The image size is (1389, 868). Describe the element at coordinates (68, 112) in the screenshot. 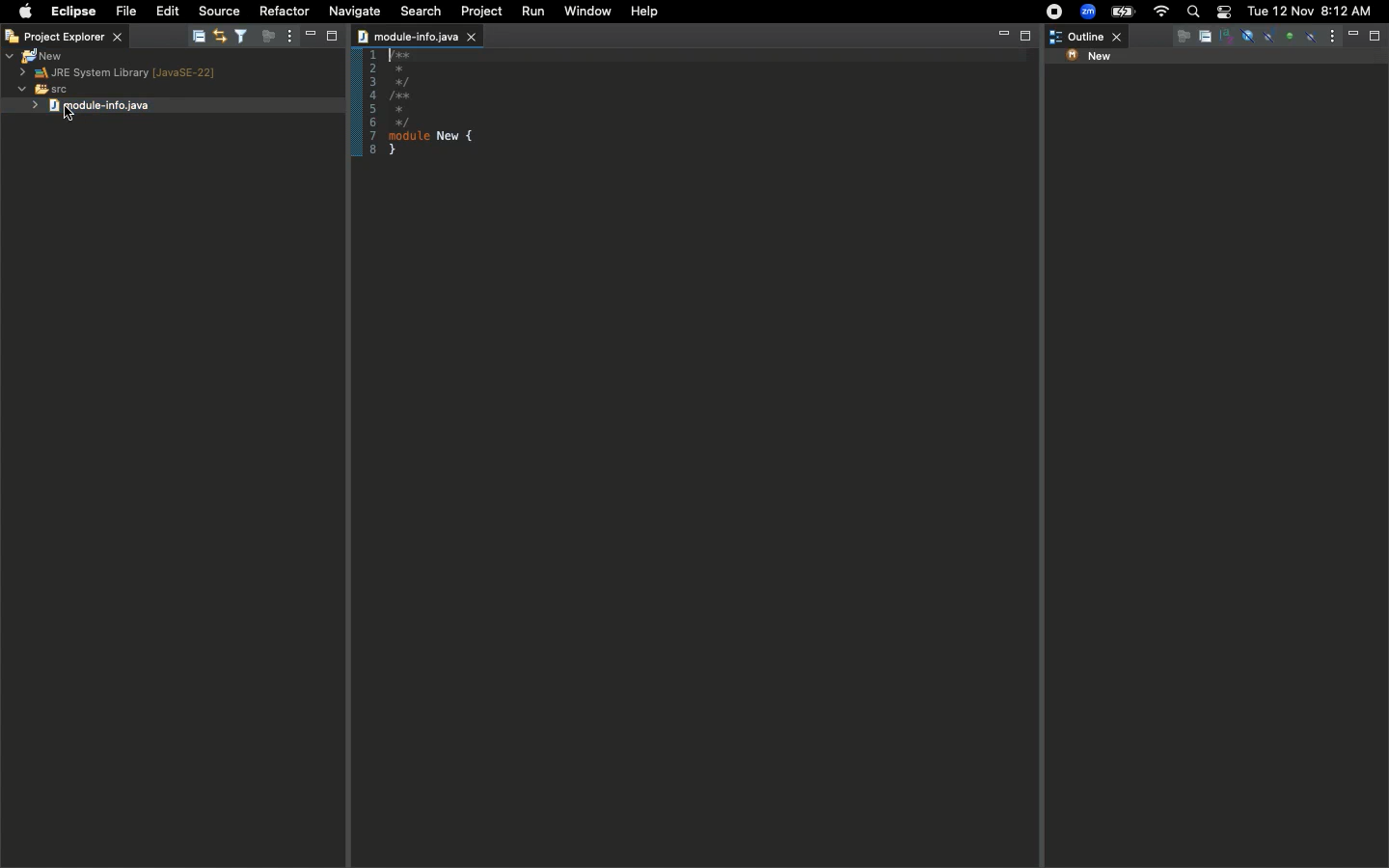

I see `cursor` at that location.